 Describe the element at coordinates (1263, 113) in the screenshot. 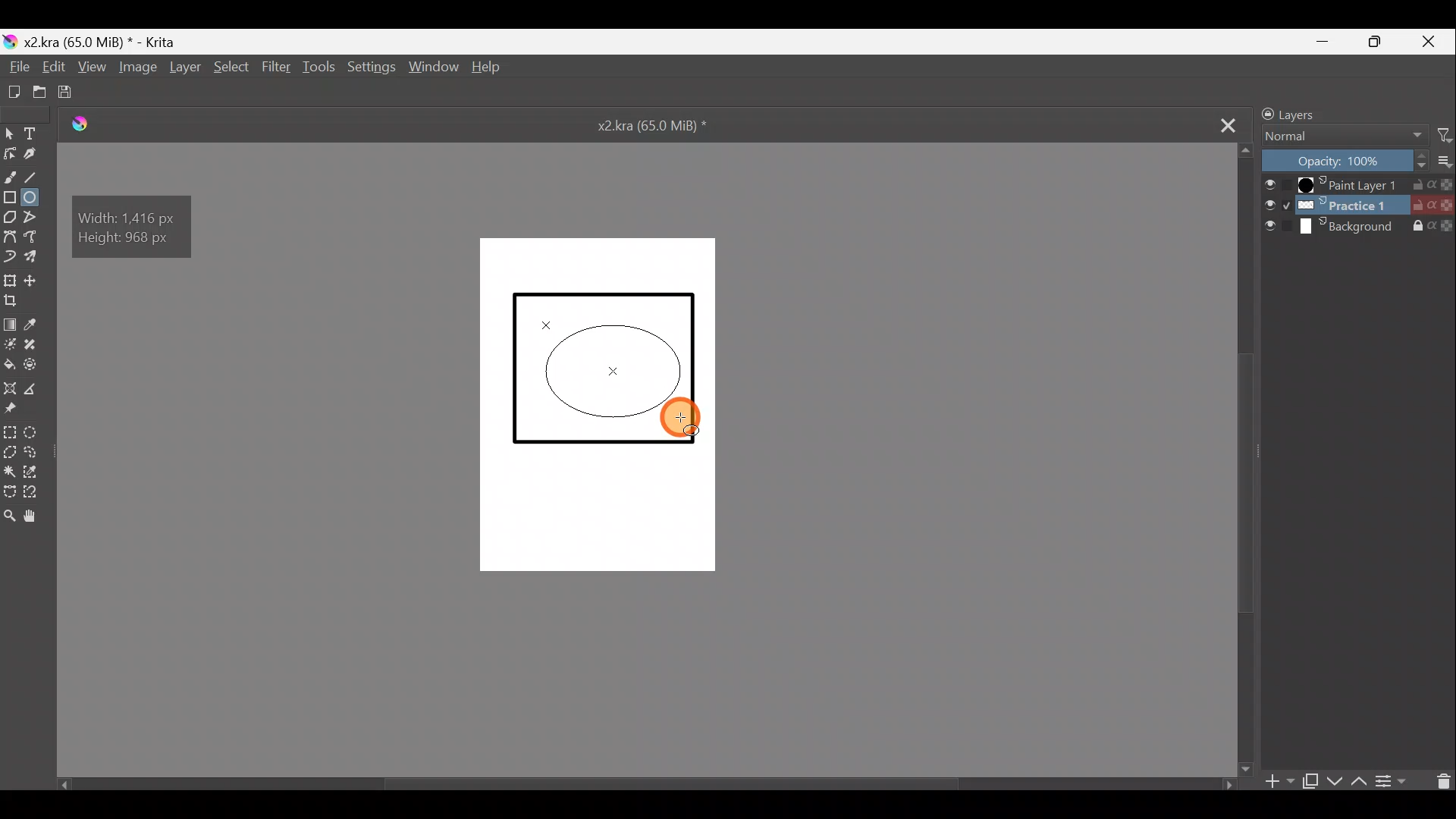

I see `lock/unlock docker` at that location.